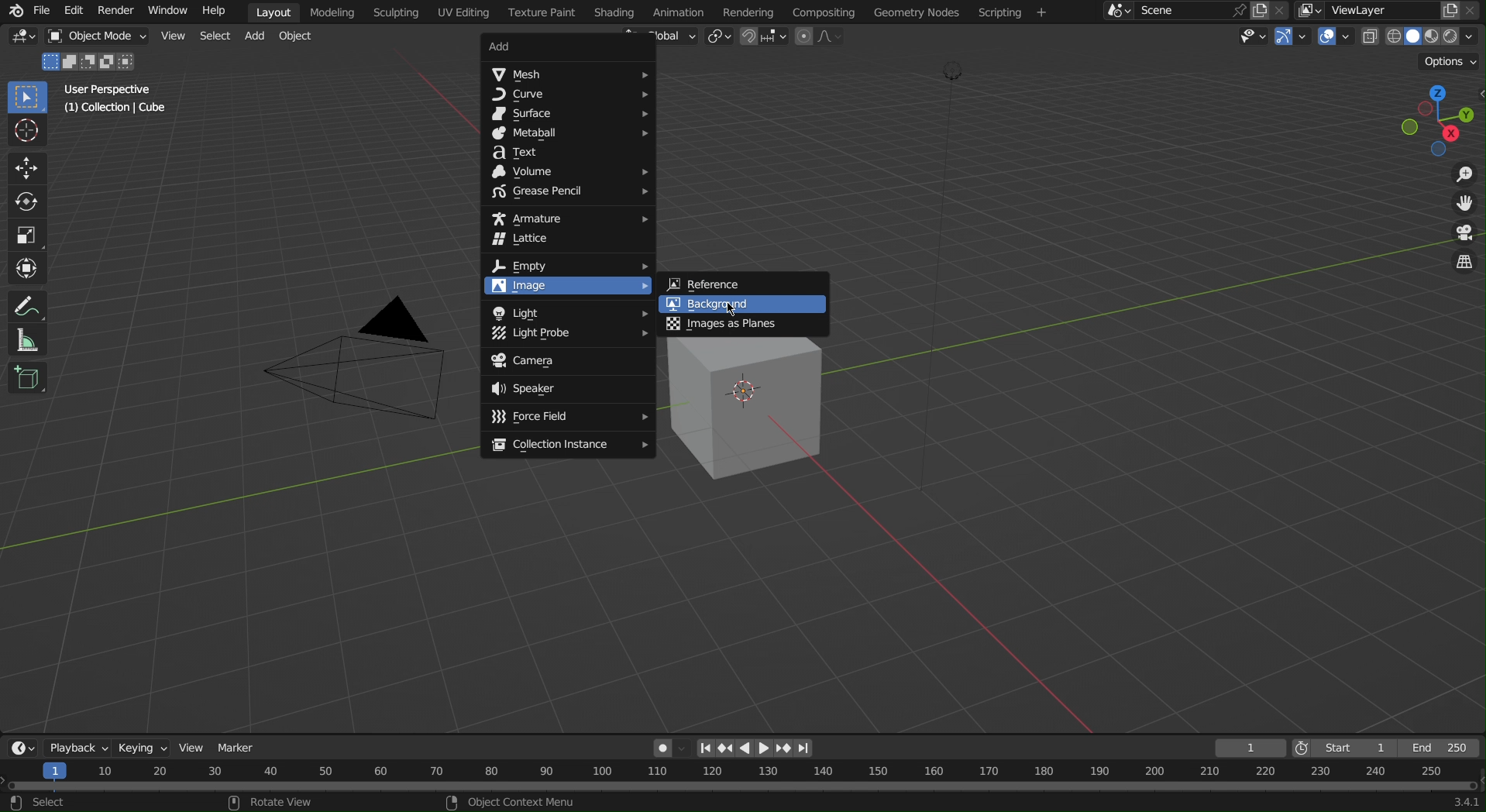 The height and width of the screenshot is (812, 1486). Describe the element at coordinates (194, 746) in the screenshot. I see `View` at that location.